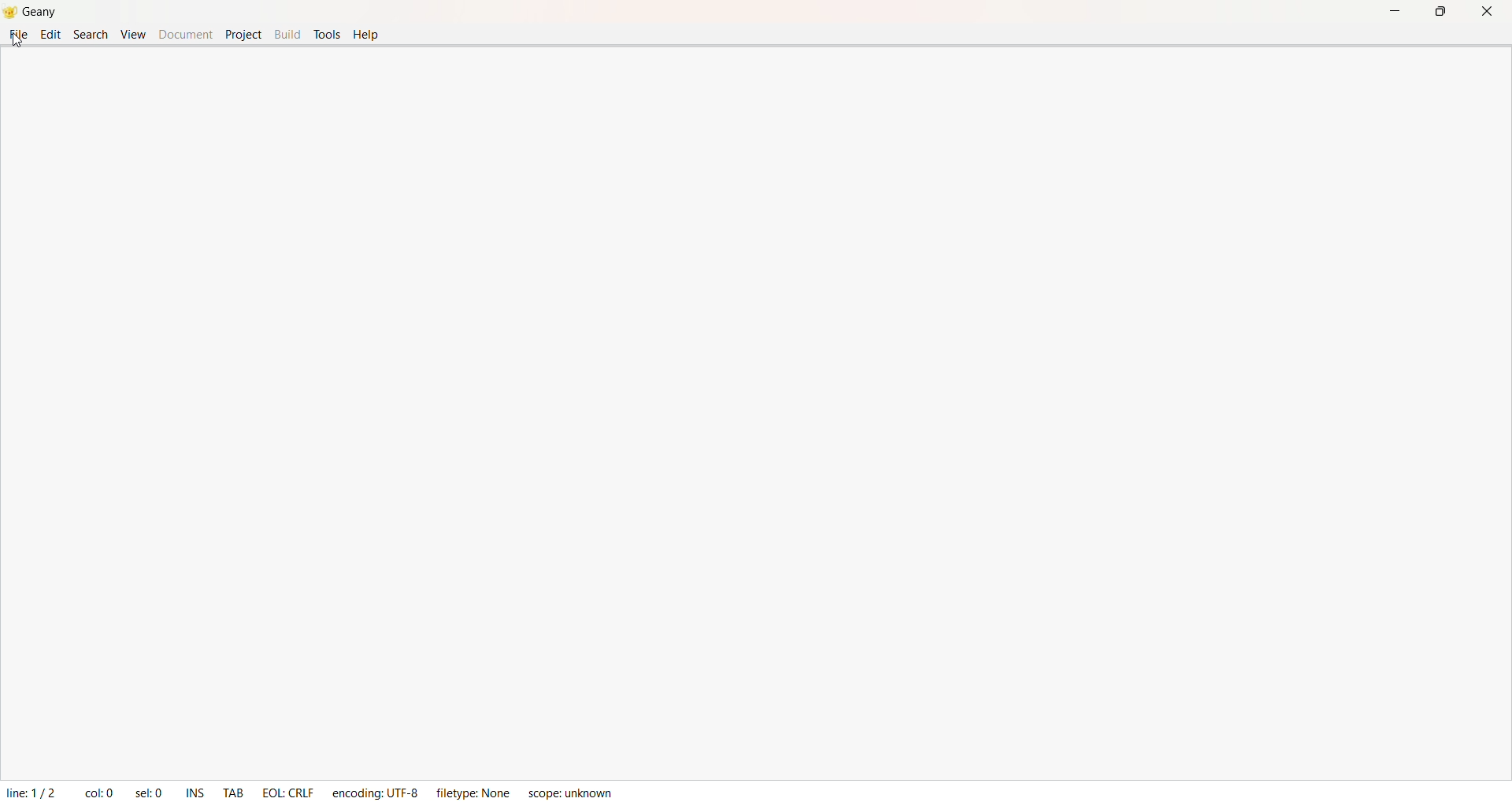  What do you see at coordinates (757, 426) in the screenshot?
I see `Coding Area` at bounding box center [757, 426].